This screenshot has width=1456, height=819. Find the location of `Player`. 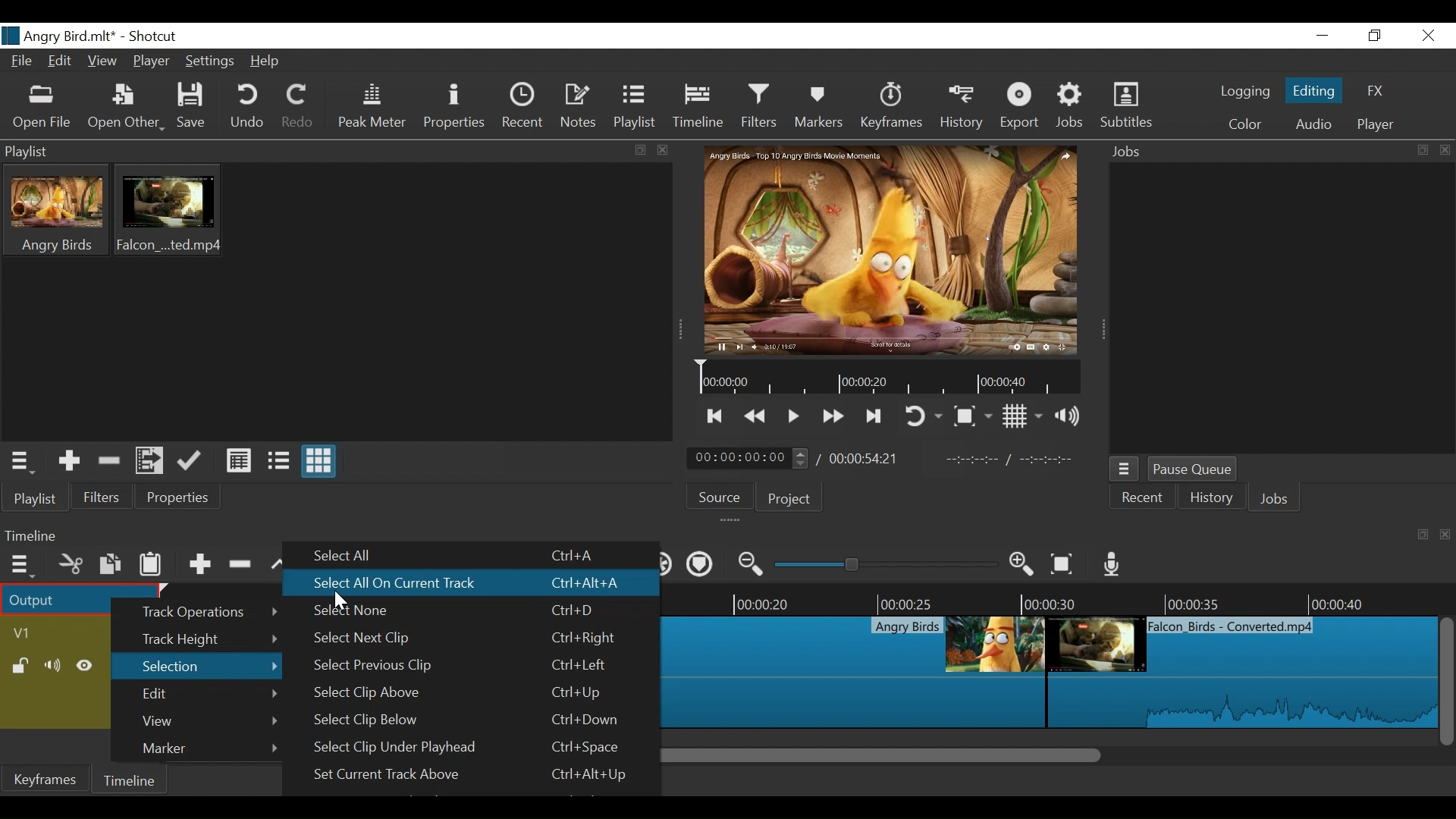

Player is located at coordinates (1378, 124).